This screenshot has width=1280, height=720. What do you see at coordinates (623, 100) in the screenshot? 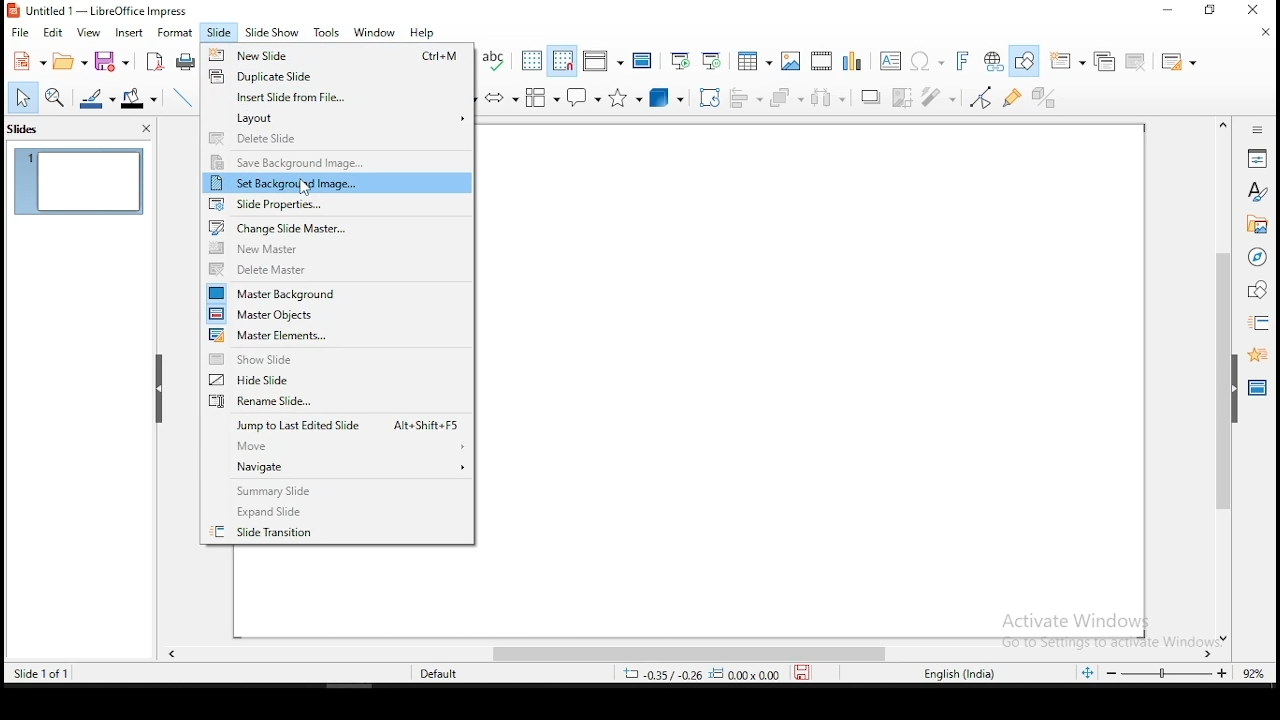
I see `stars and banners` at bounding box center [623, 100].